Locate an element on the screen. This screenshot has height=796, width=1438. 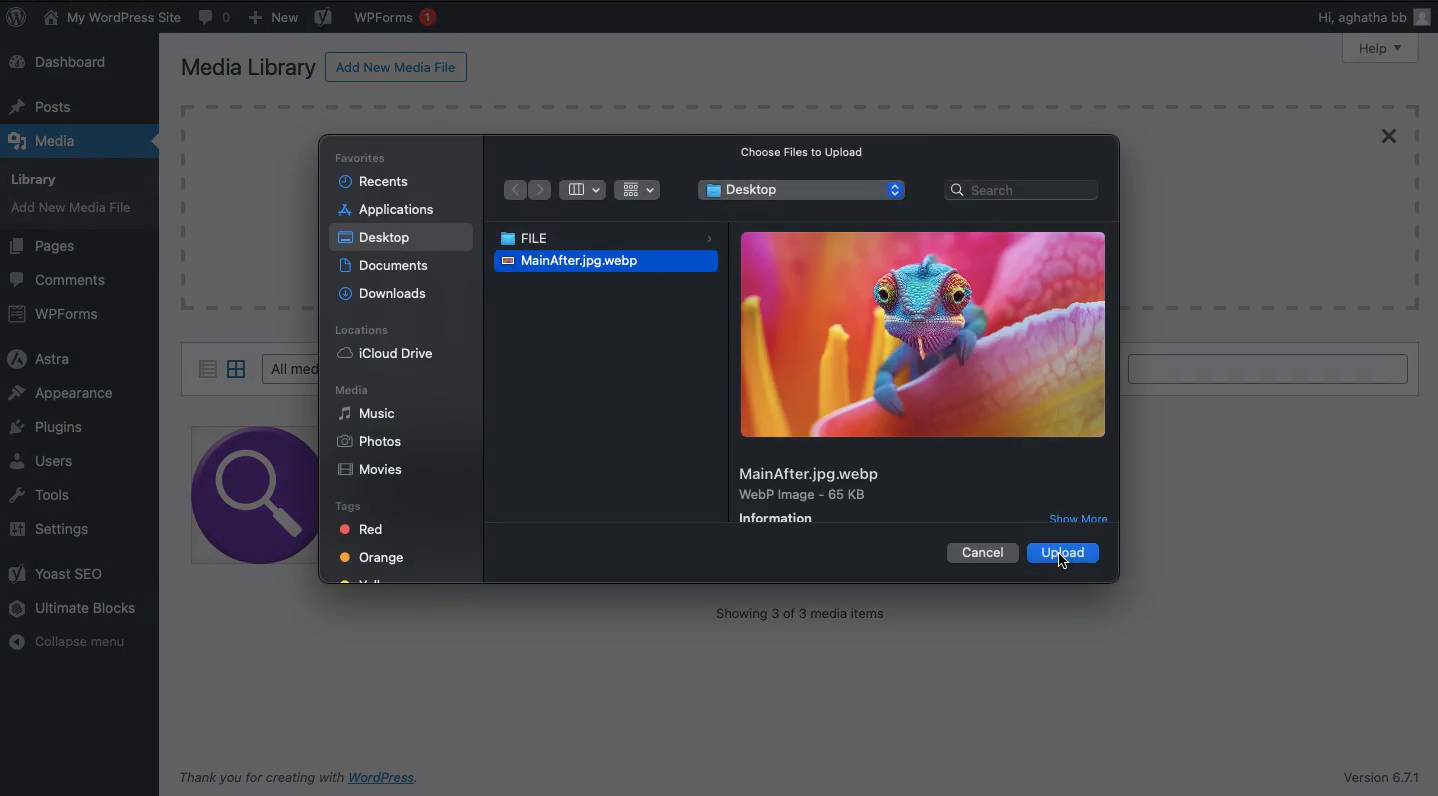
Comments is located at coordinates (216, 17).